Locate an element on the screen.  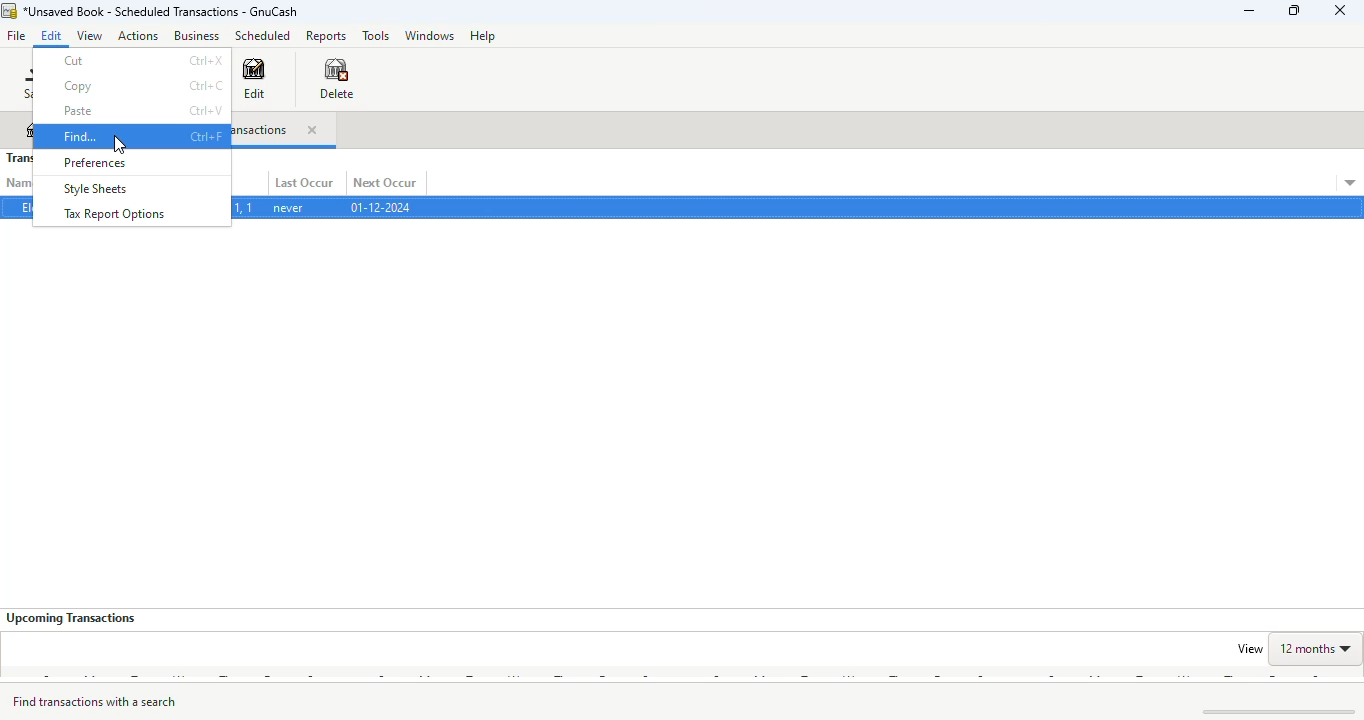
tools is located at coordinates (377, 36).